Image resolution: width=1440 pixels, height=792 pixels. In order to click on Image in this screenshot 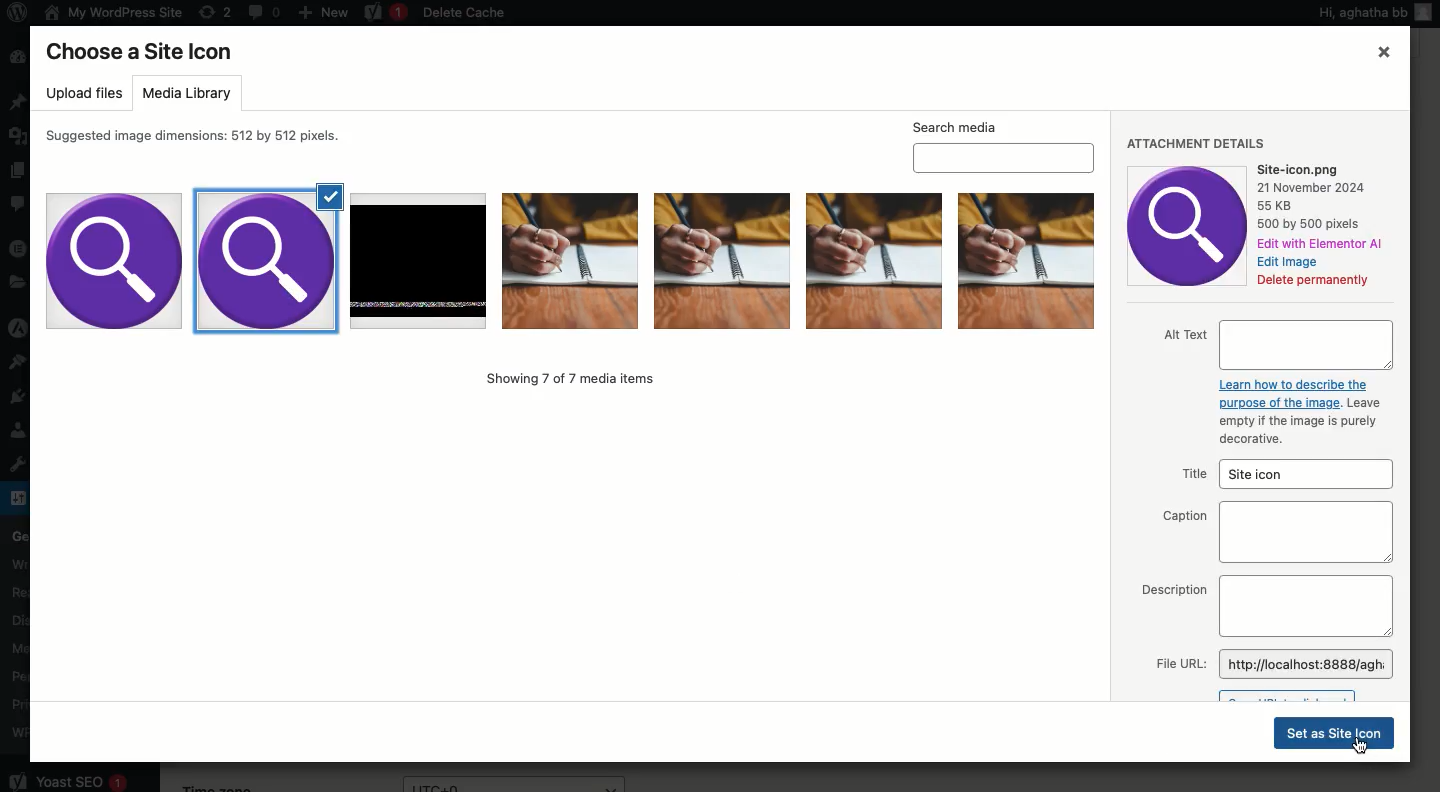, I will do `click(1027, 258)`.